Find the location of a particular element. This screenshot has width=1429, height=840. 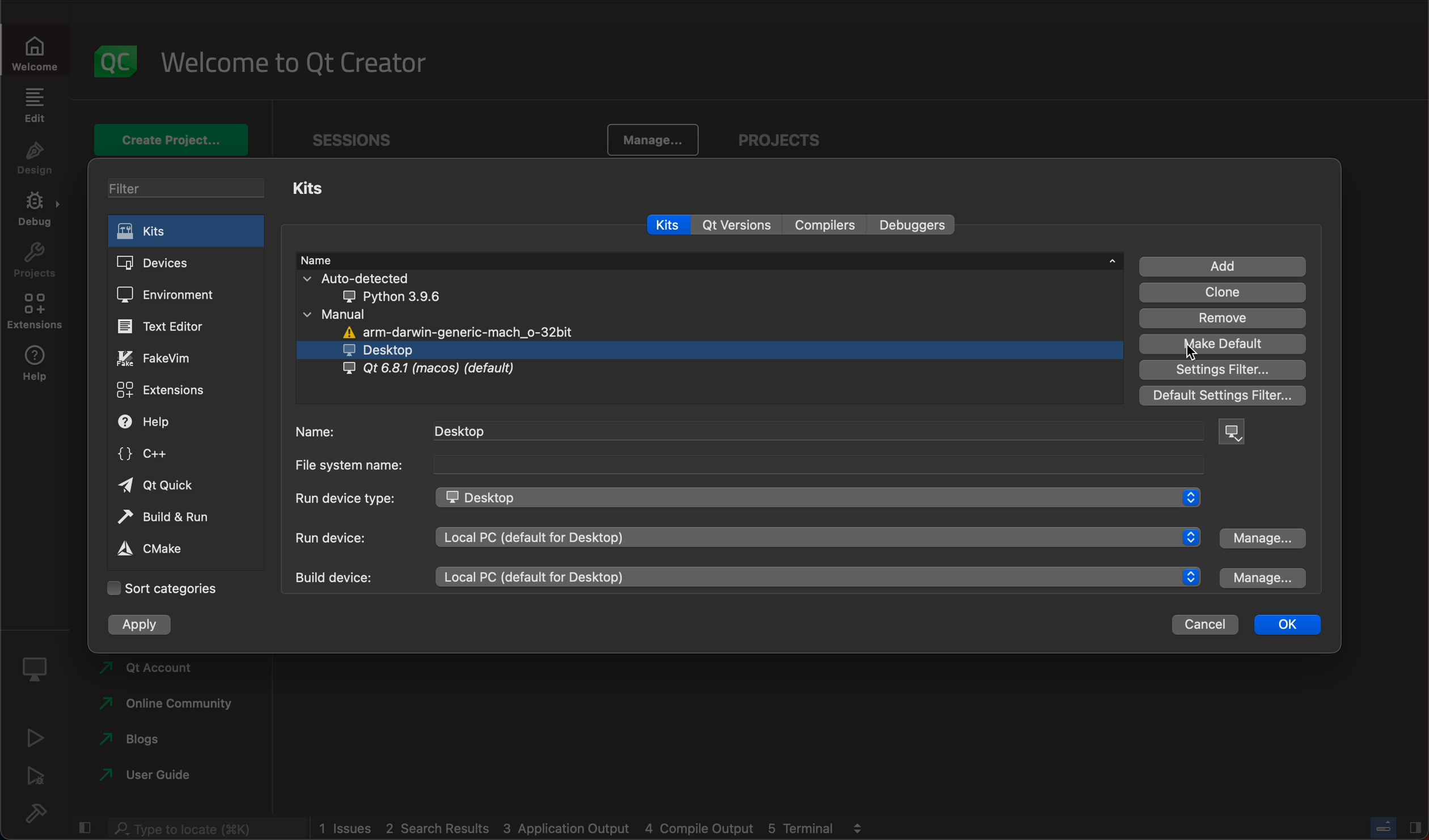

kits is located at coordinates (669, 226).